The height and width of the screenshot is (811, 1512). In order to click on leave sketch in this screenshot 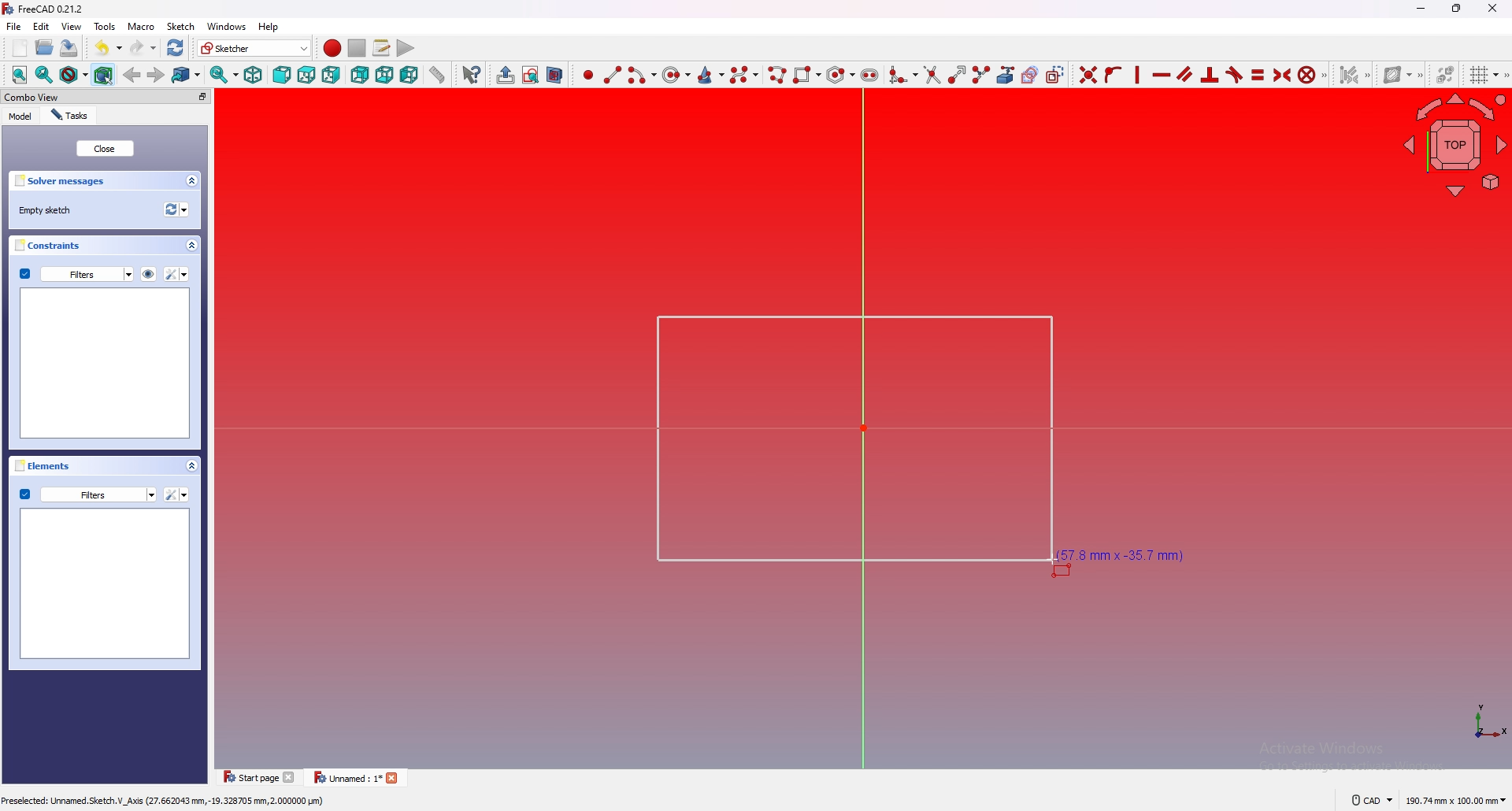, I will do `click(506, 76)`.